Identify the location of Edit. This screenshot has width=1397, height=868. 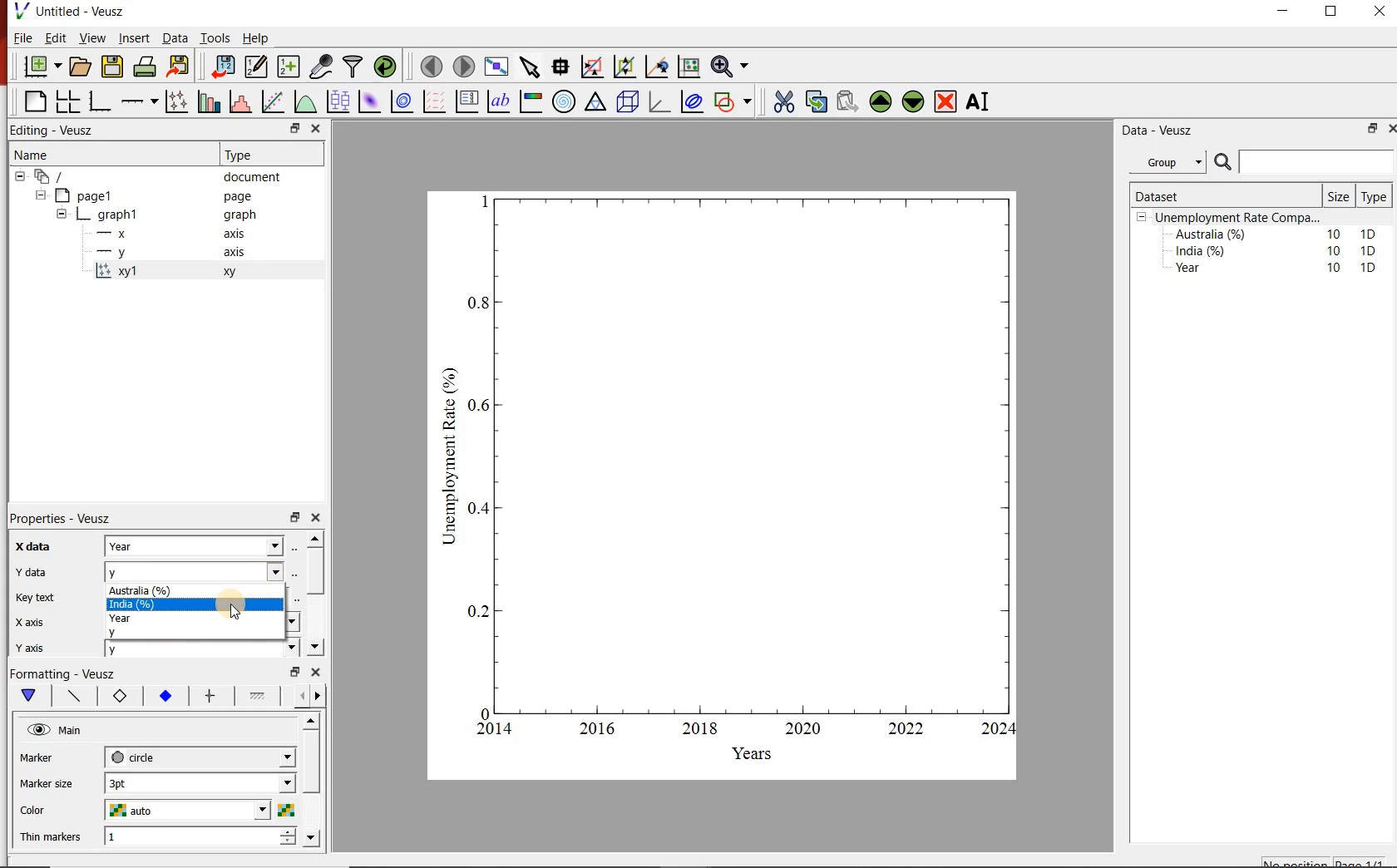
(53, 37).